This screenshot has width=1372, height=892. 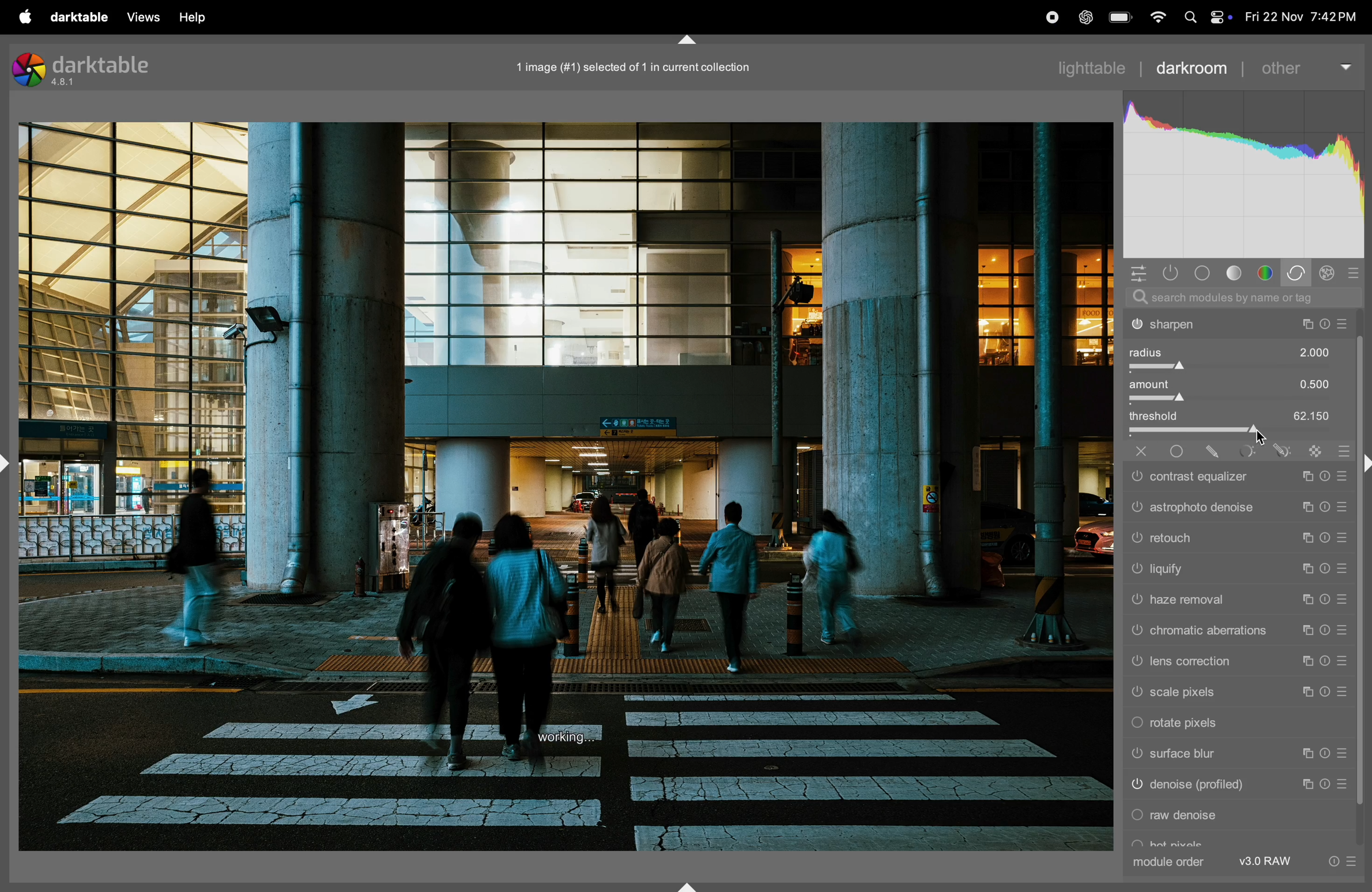 I want to click on threshold 62.150, so click(x=1239, y=420).